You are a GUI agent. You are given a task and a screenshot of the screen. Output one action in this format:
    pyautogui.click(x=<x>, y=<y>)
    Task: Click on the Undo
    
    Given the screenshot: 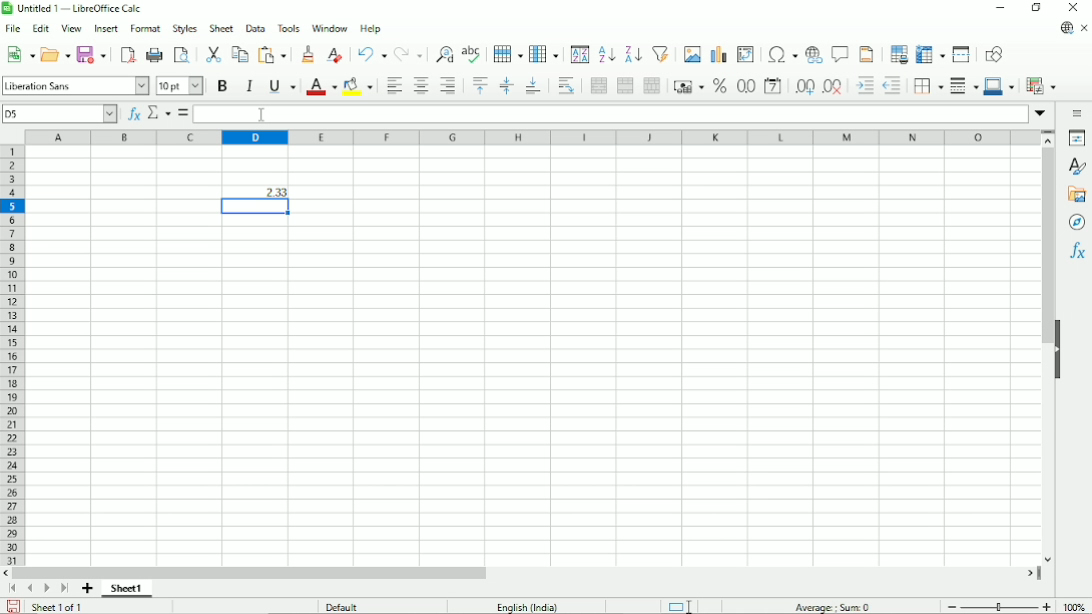 What is the action you would take?
    pyautogui.click(x=372, y=53)
    